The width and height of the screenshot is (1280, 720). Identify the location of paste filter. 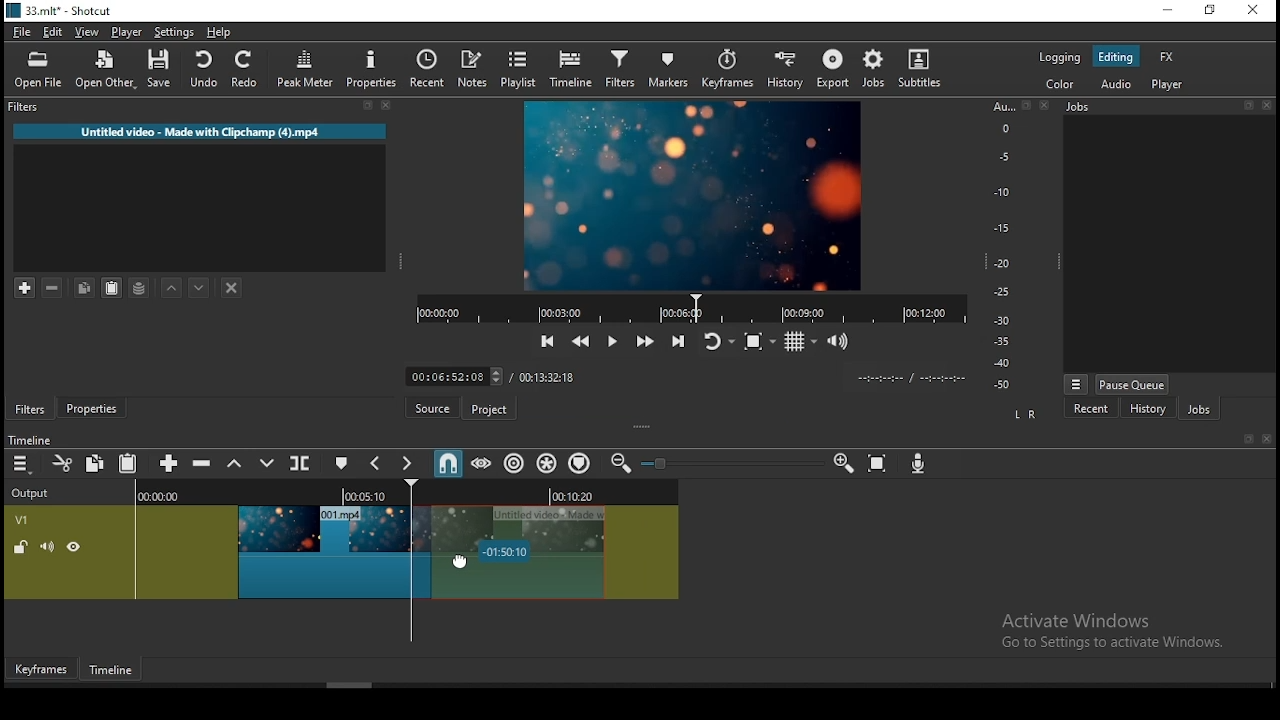
(115, 289).